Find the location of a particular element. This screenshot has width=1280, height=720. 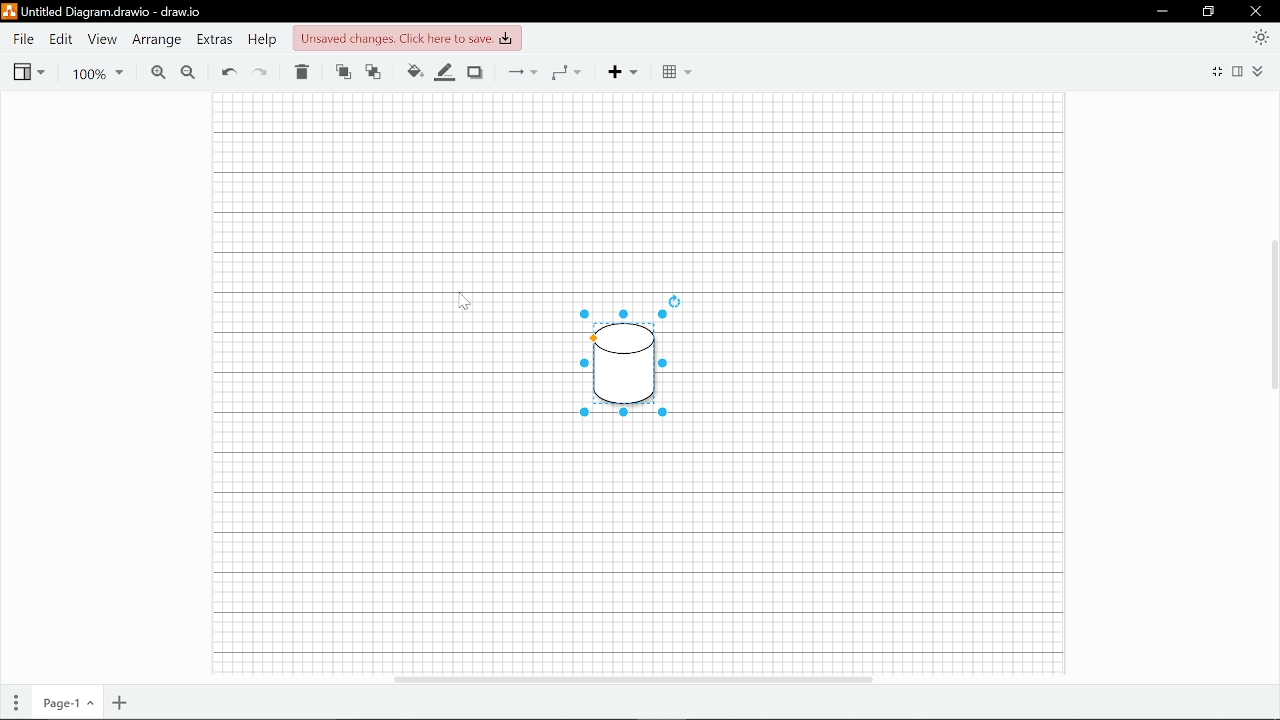

Arrange is located at coordinates (155, 40).